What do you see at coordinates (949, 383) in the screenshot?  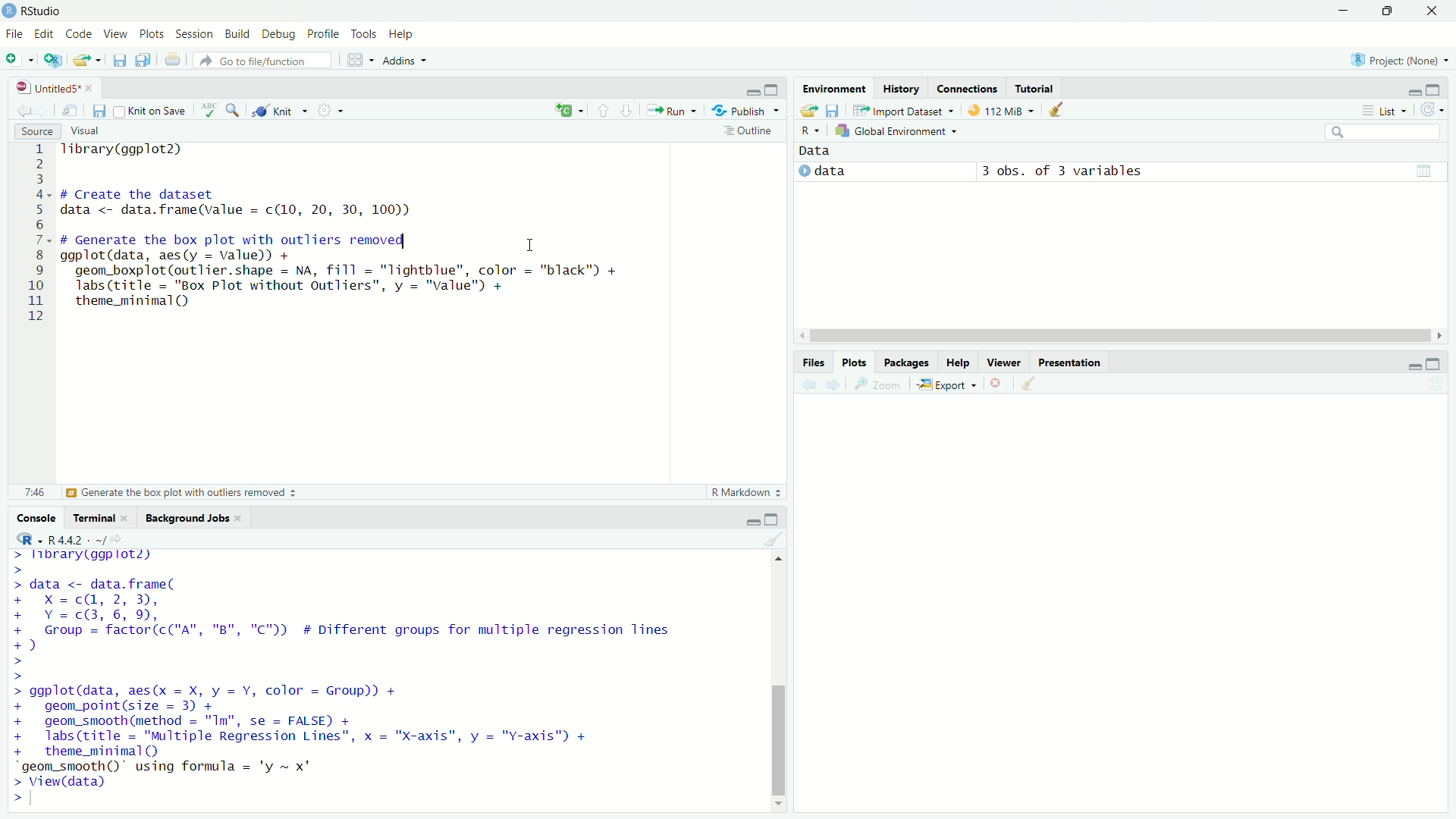 I see `i Export ~` at bounding box center [949, 383].